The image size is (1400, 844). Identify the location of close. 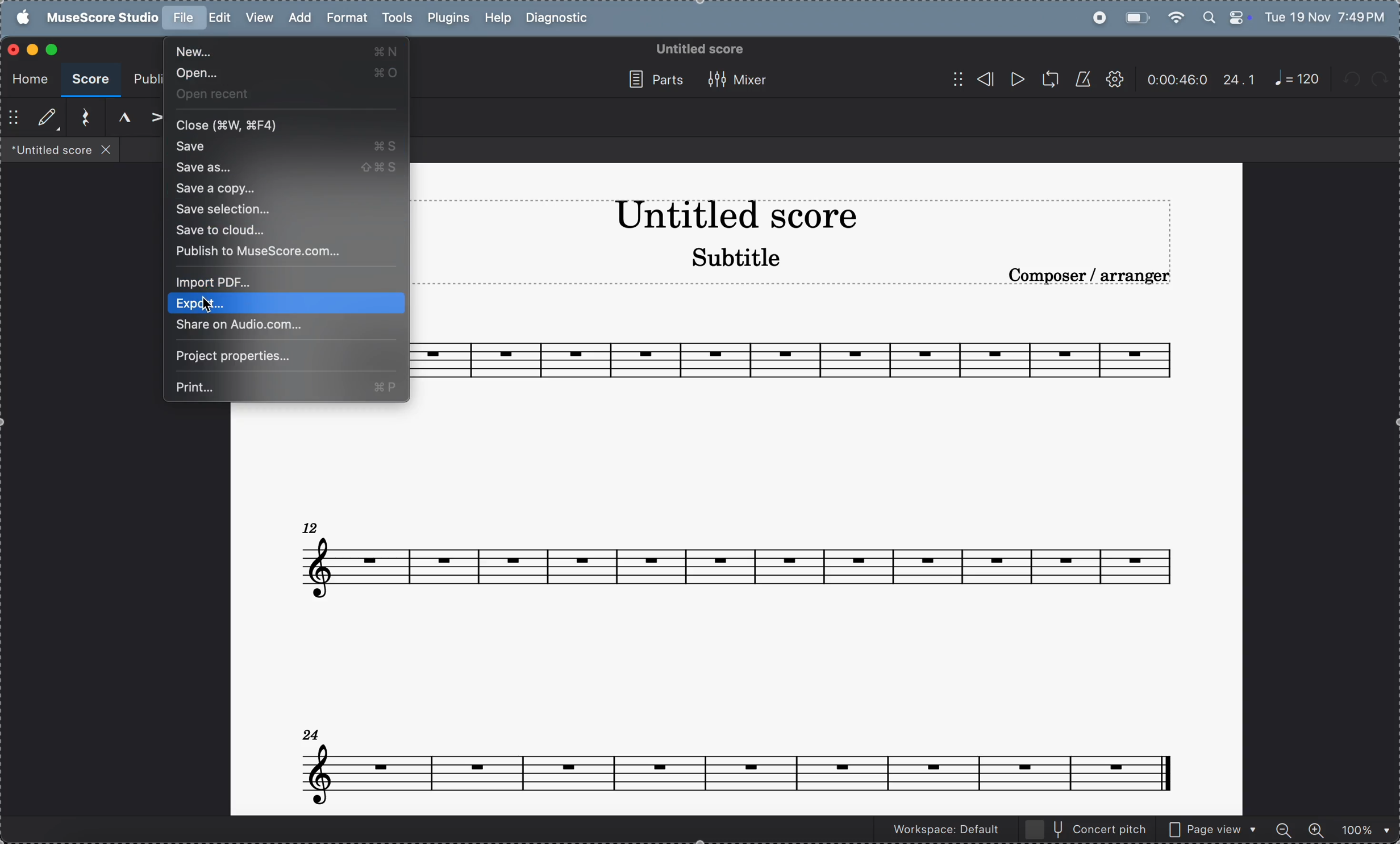
(287, 126).